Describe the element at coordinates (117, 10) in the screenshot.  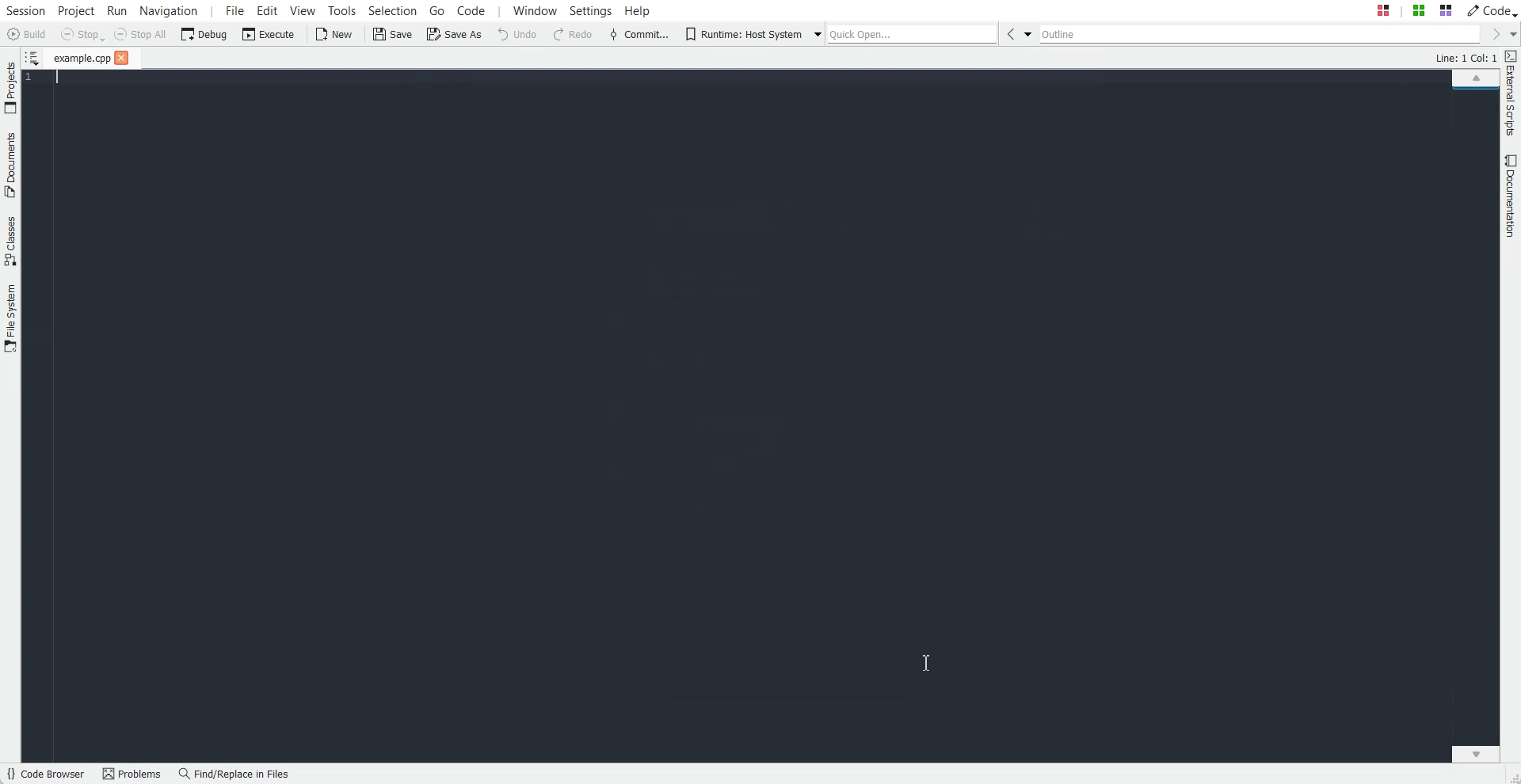
I see `Run` at that location.